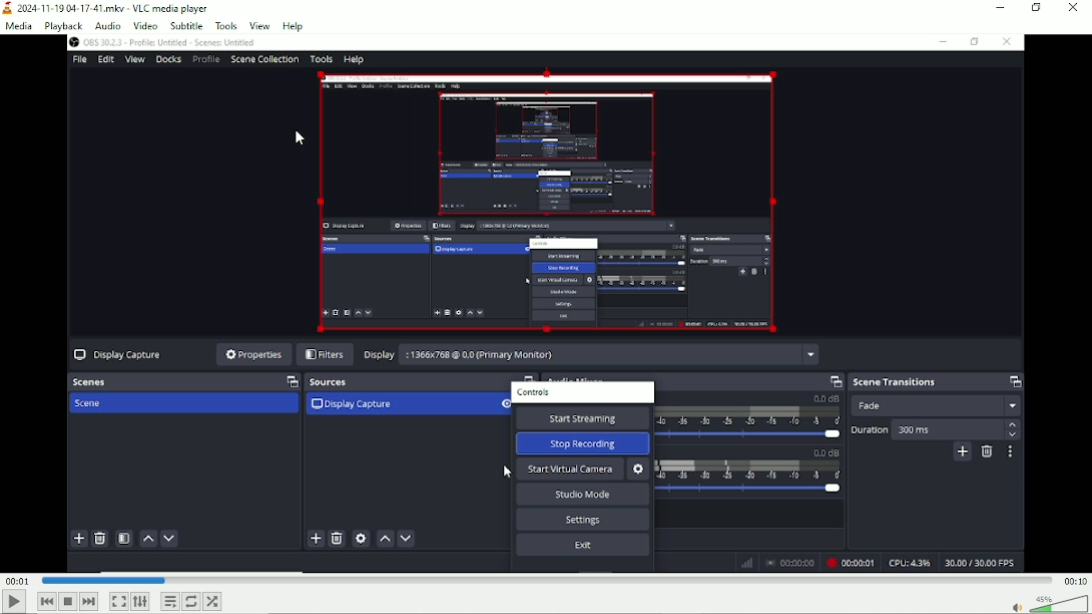  I want to click on Cursor, so click(300, 138).